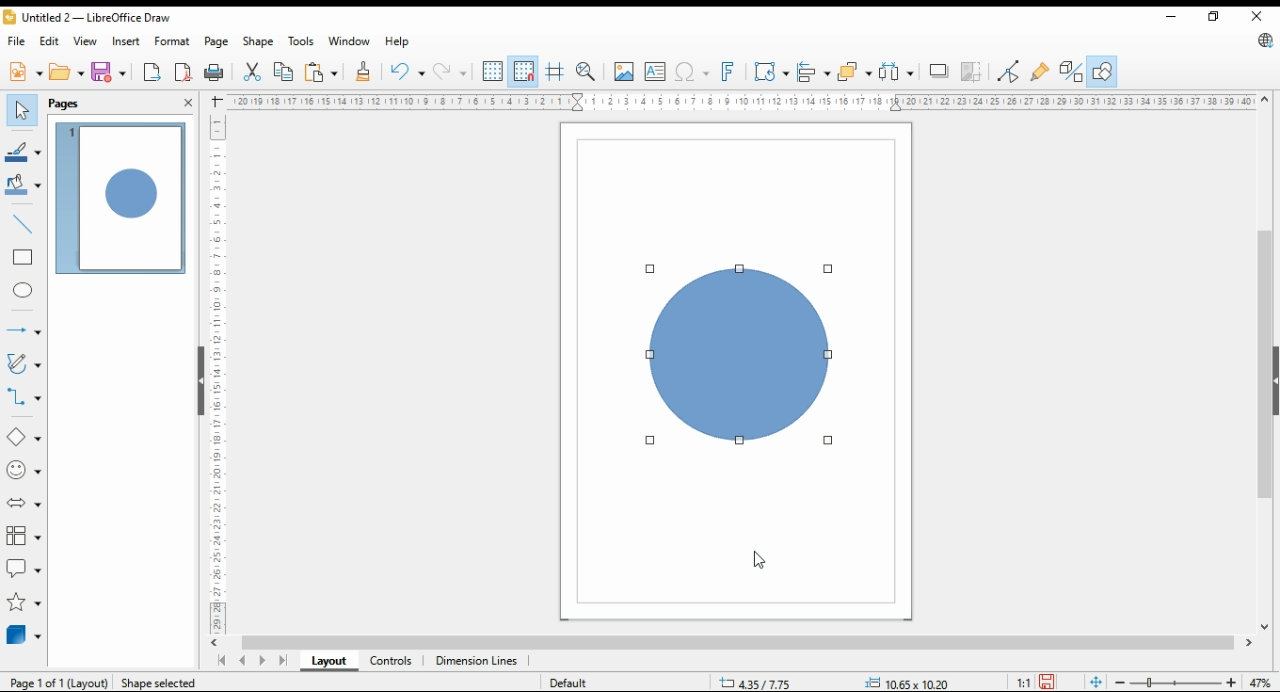 The width and height of the screenshot is (1280, 692). I want to click on window, so click(349, 41).